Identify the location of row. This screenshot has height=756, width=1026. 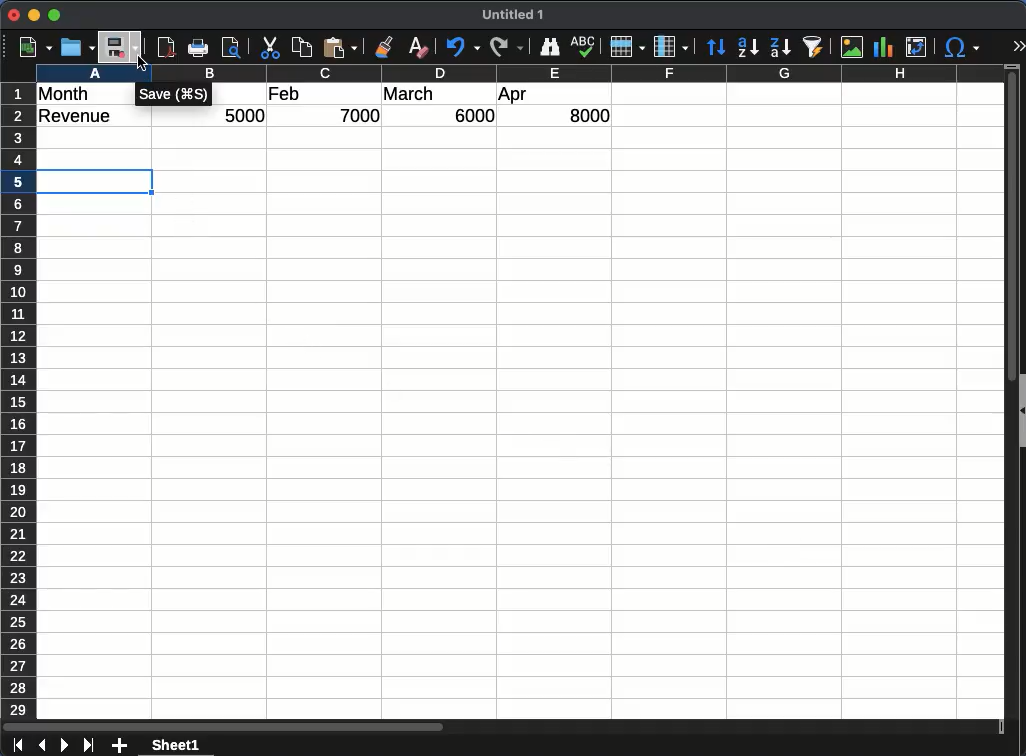
(627, 47).